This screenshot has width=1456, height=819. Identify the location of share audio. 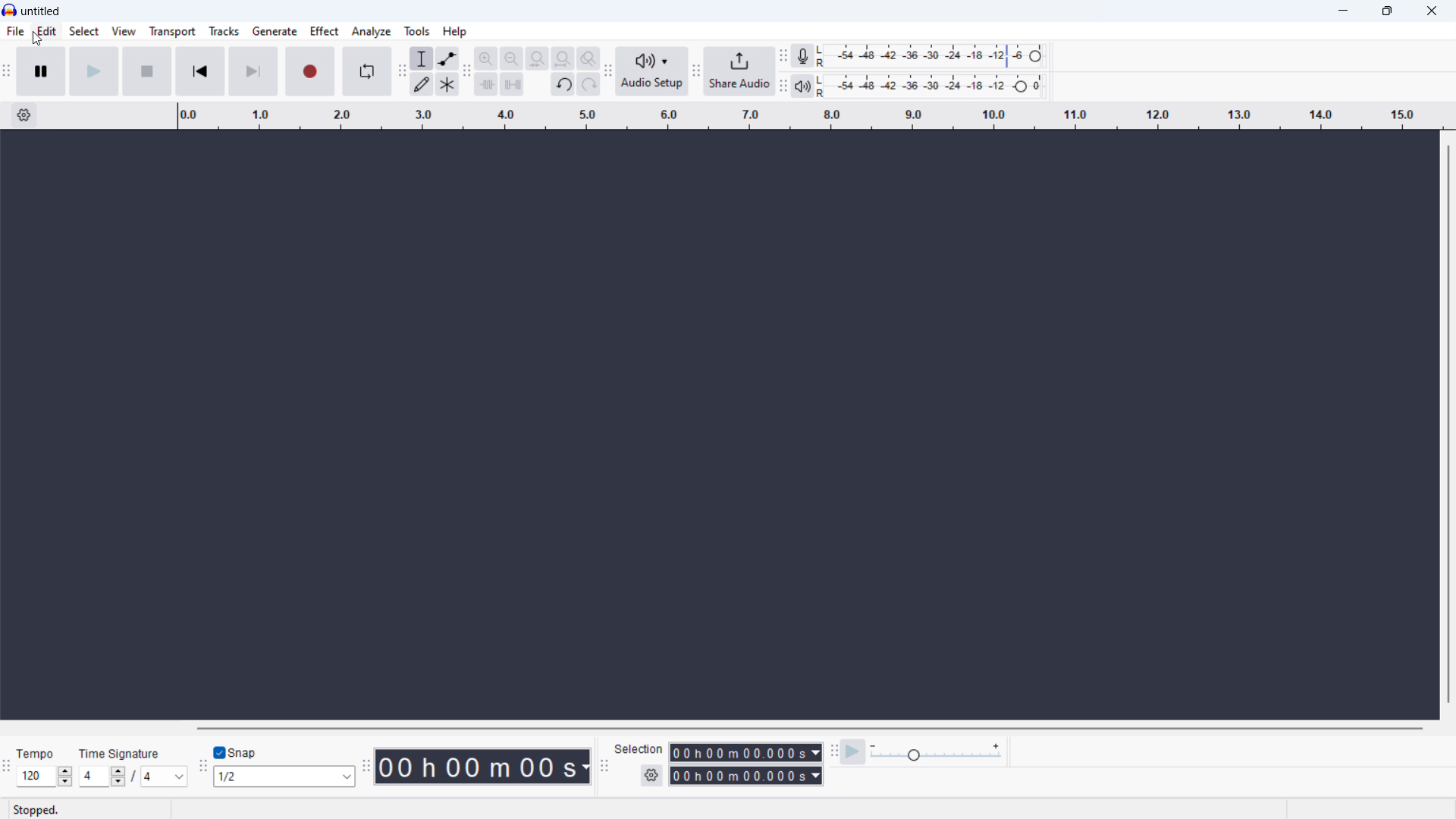
(739, 71).